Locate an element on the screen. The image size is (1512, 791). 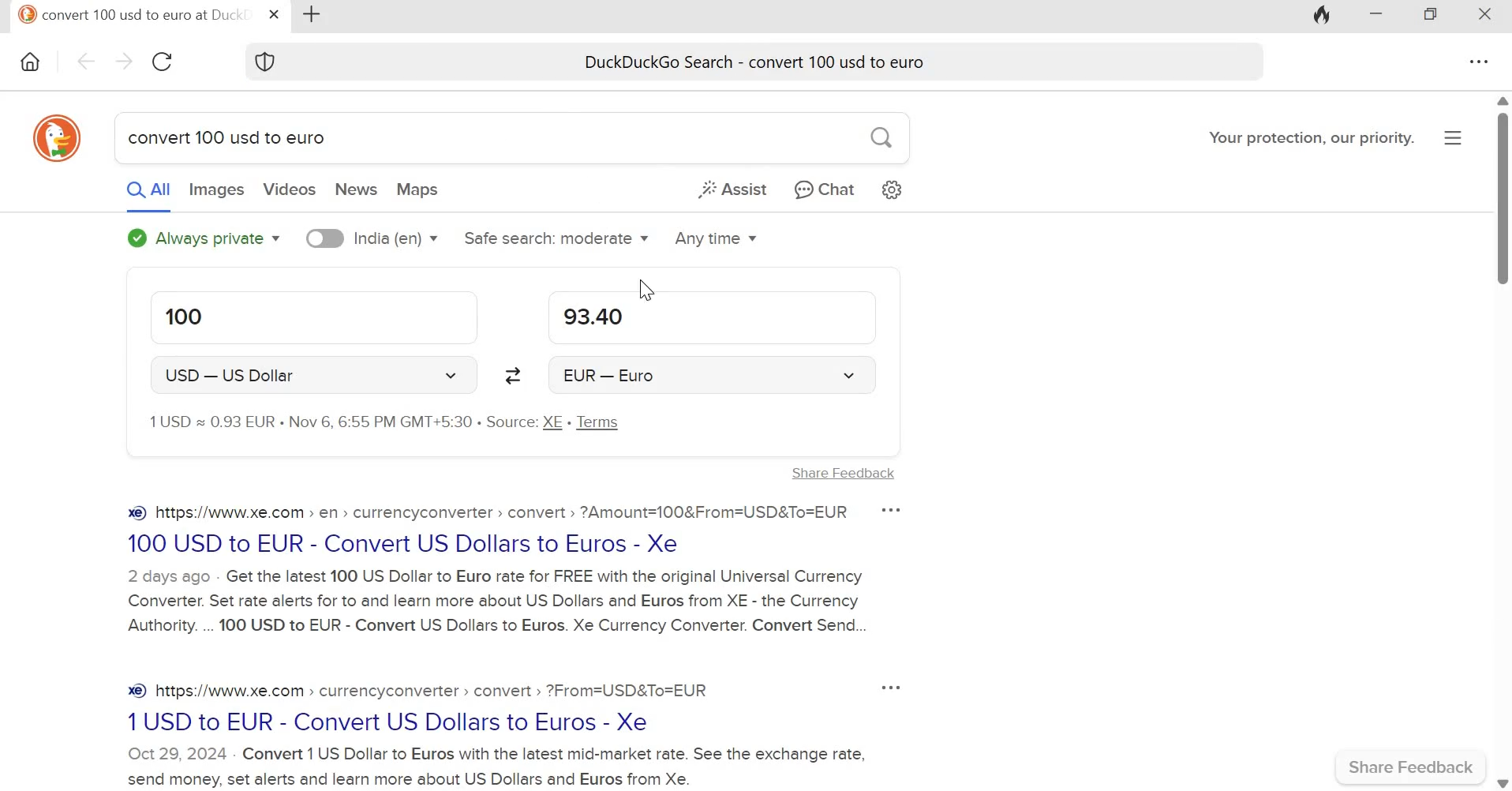
Share Feedback is located at coordinates (831, 476).